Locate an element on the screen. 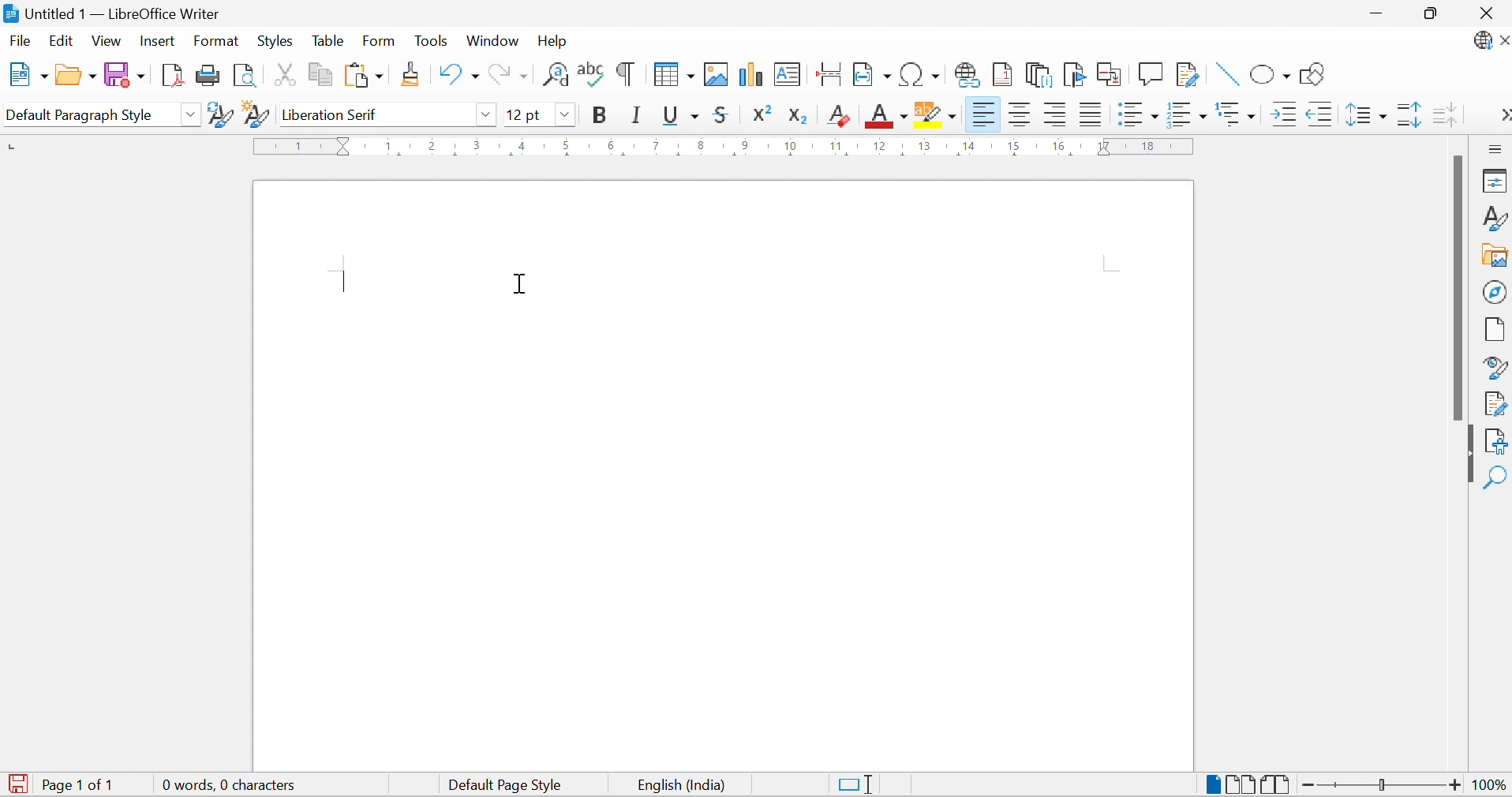  Insert Table is located at coordinates (674, 75).